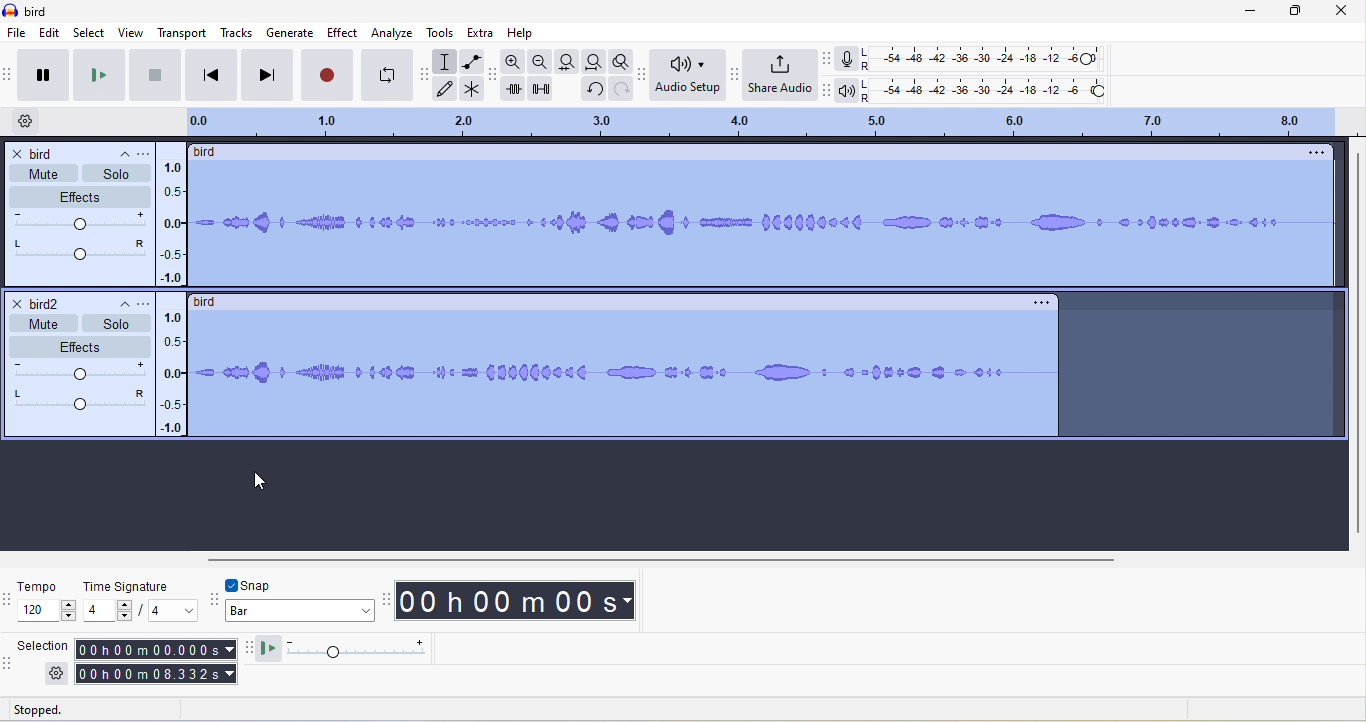 The height and width of the screenshot is (722, 1366). What do you see at coordinates (438, 33) in the screenshot?
I see `tools` at bounding box center [438, 33].